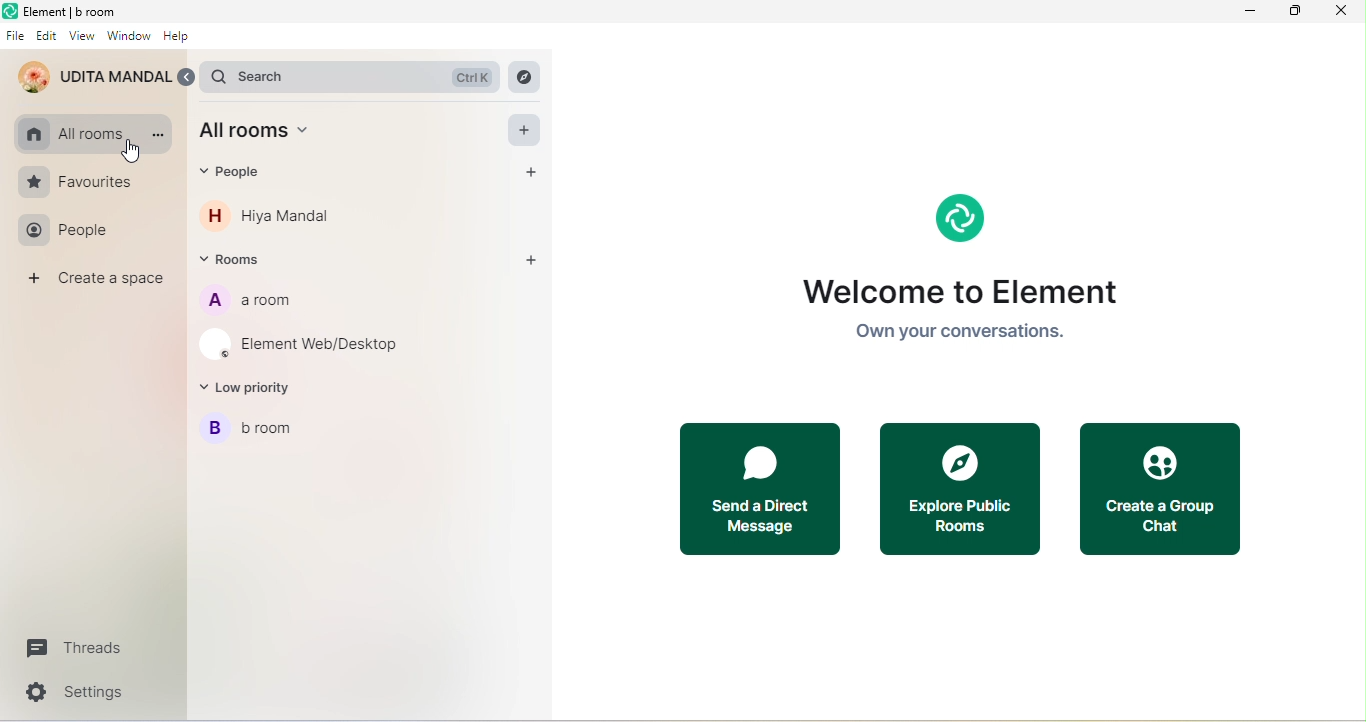 Image resolution: width=1366 pixels, height=722 pixels. What do you see at coordinates (251, 391) in the screenshot?
I see `low priority` at bounding box center [251, 391].